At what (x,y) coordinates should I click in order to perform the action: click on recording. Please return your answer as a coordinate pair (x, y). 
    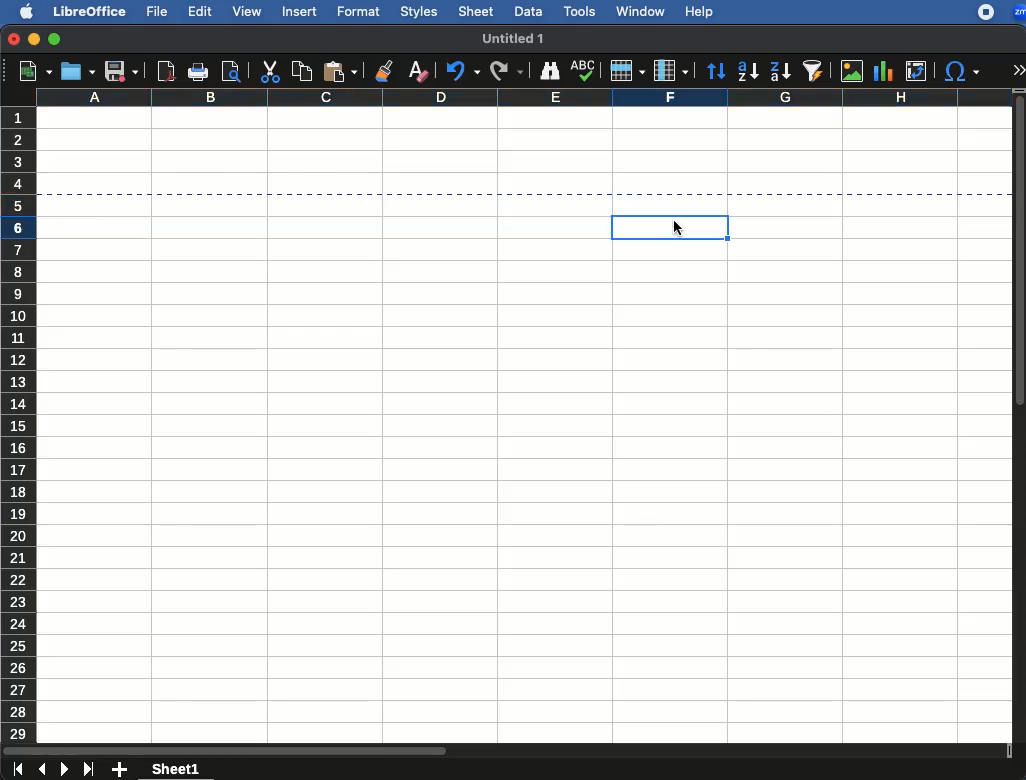
    Looking at the image, I should click on (980, 13).